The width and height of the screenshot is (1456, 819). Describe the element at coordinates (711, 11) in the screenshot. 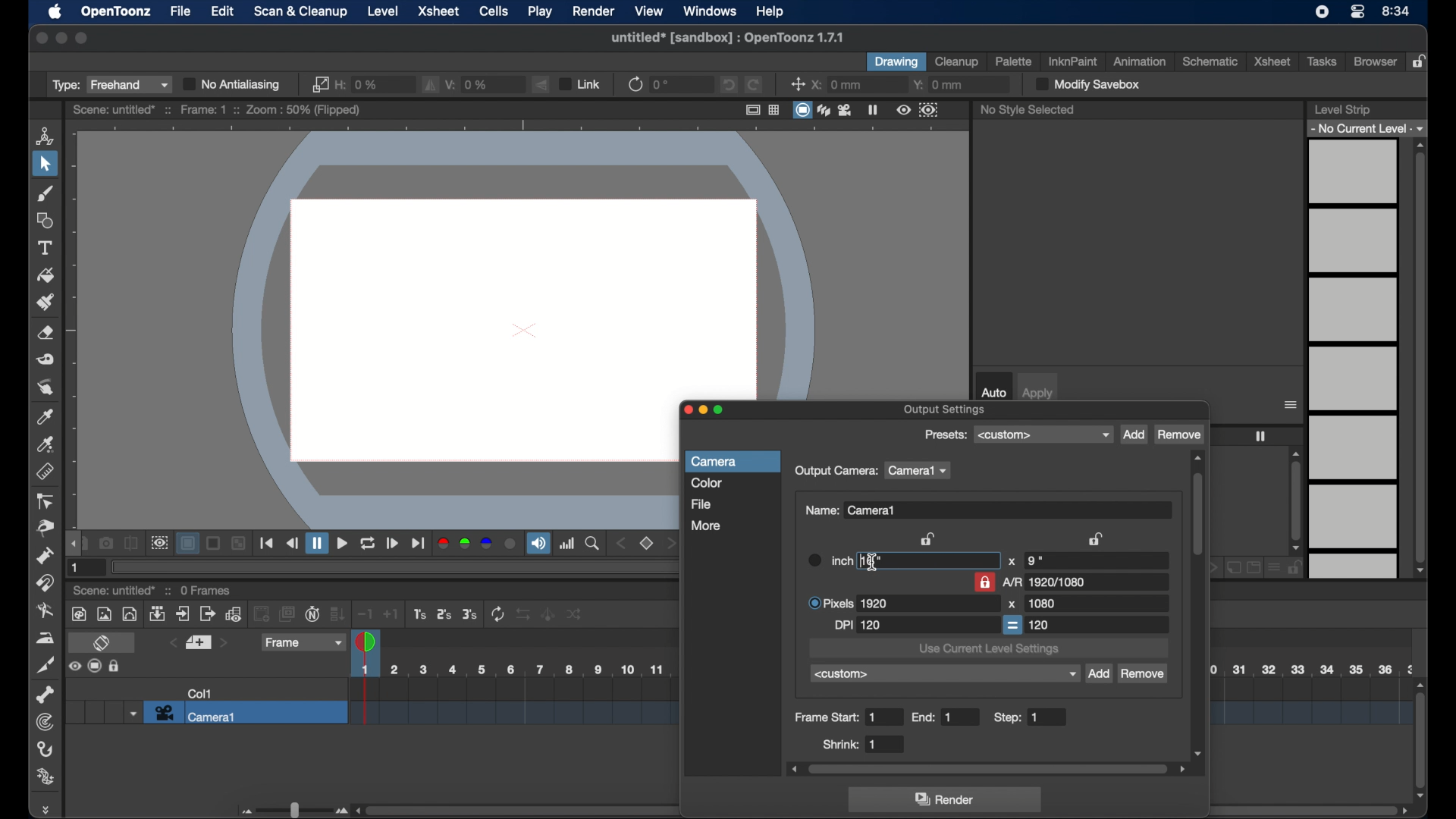

I see `windows` at that location.